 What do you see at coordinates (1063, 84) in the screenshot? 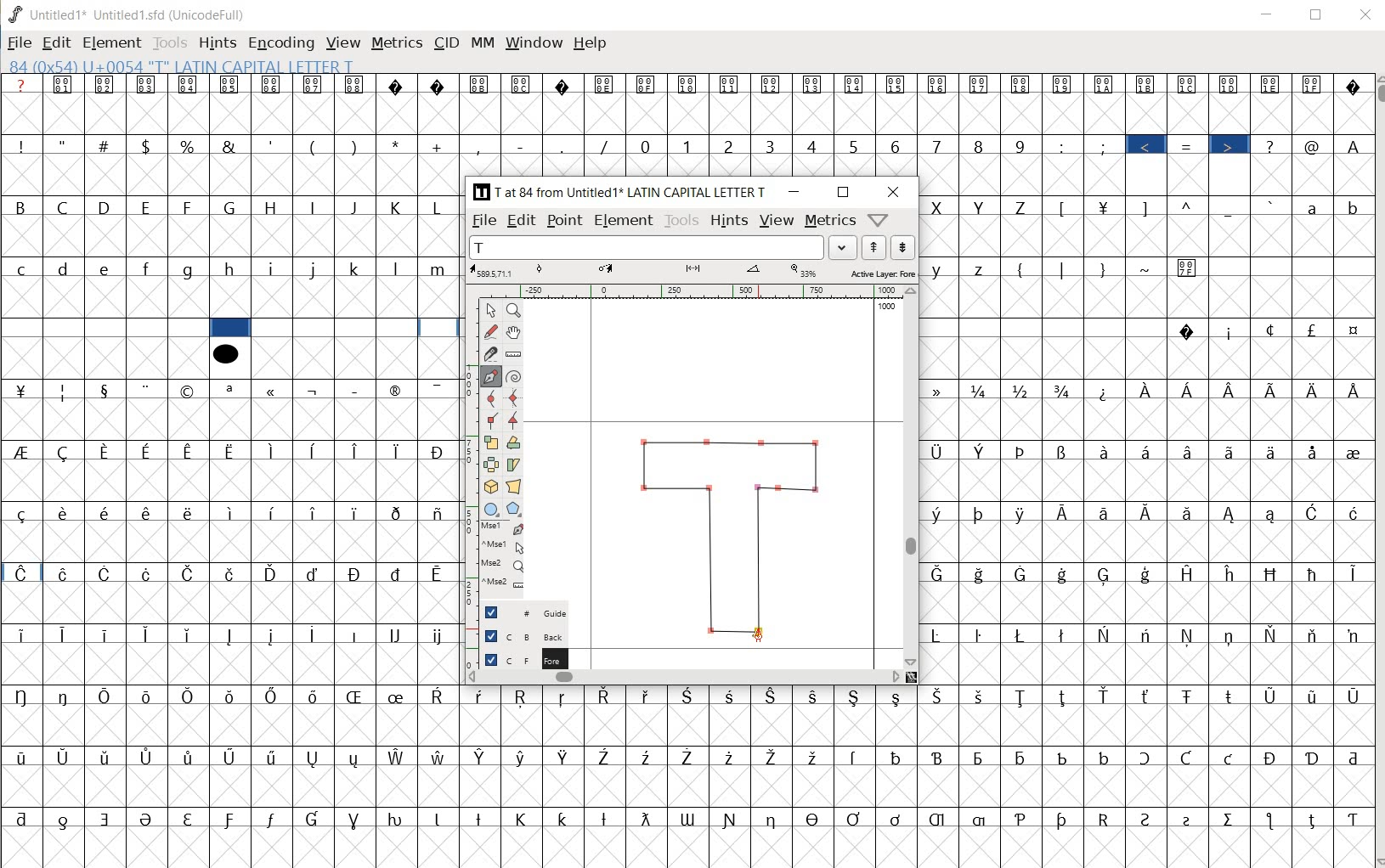
I see `Symbol` at bounding box center [1063, 84].